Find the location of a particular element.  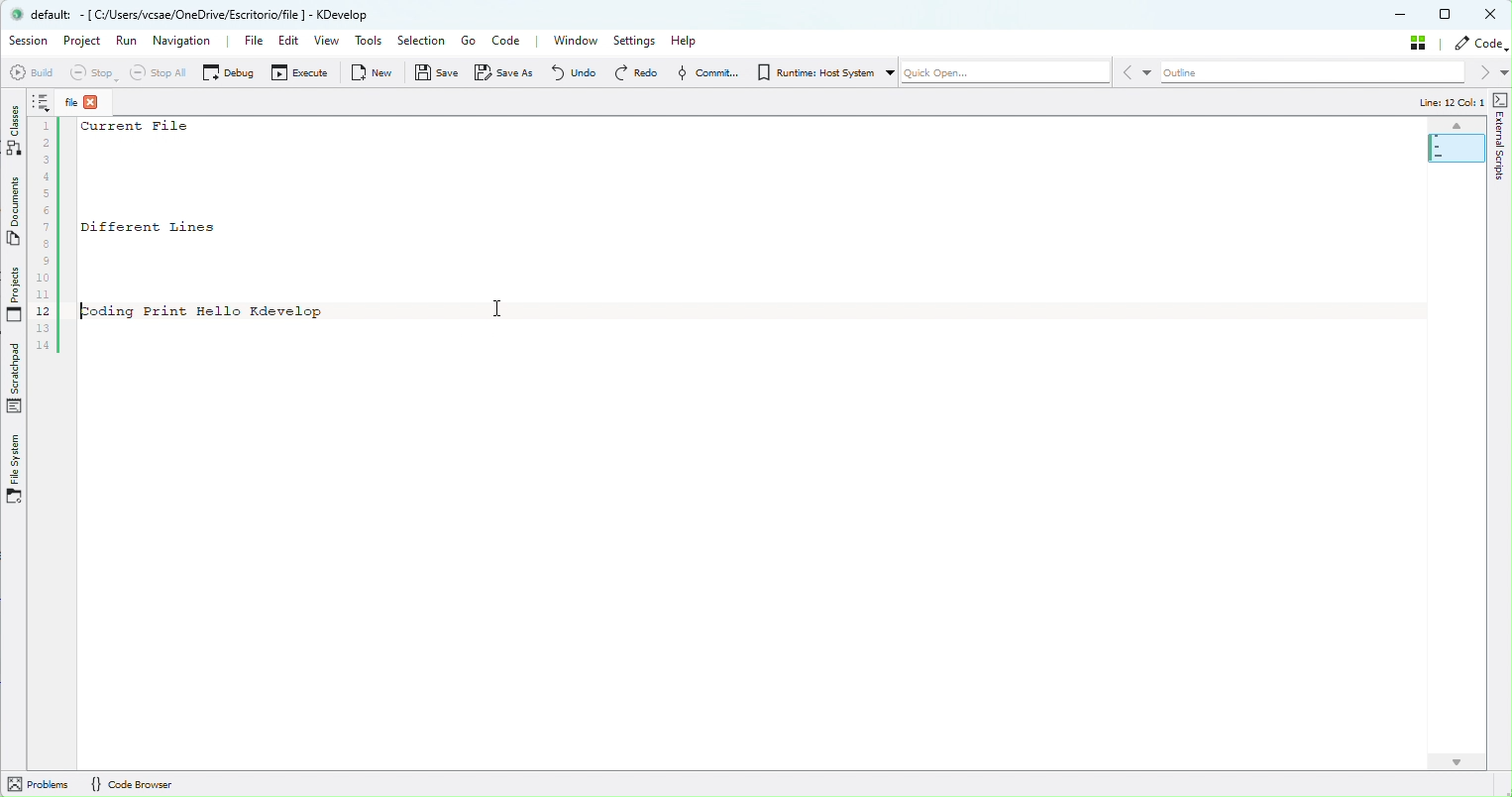

Save As is located at coordinates (500, 74).